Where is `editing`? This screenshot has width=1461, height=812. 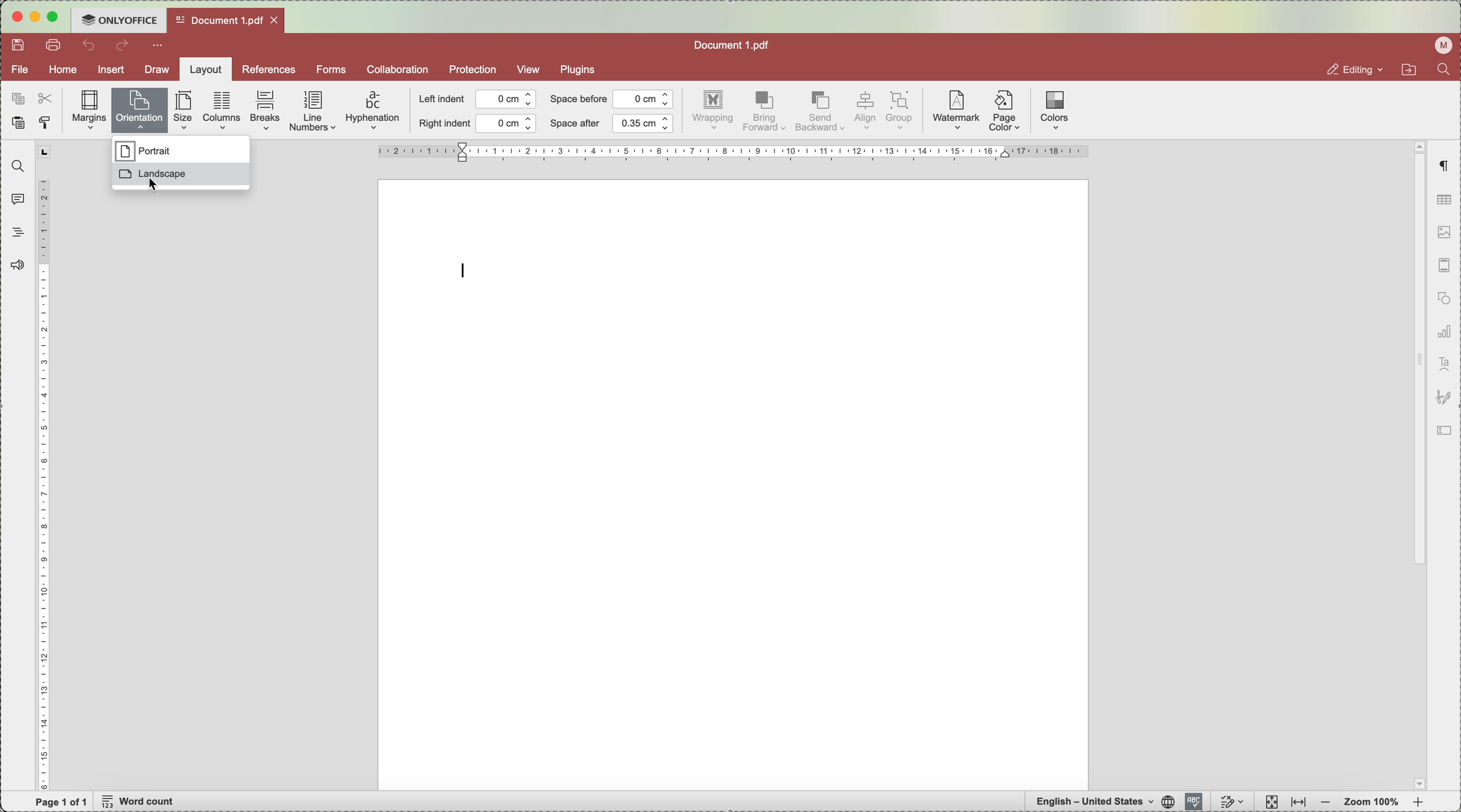 editing is located at coordinates (1344, 69).